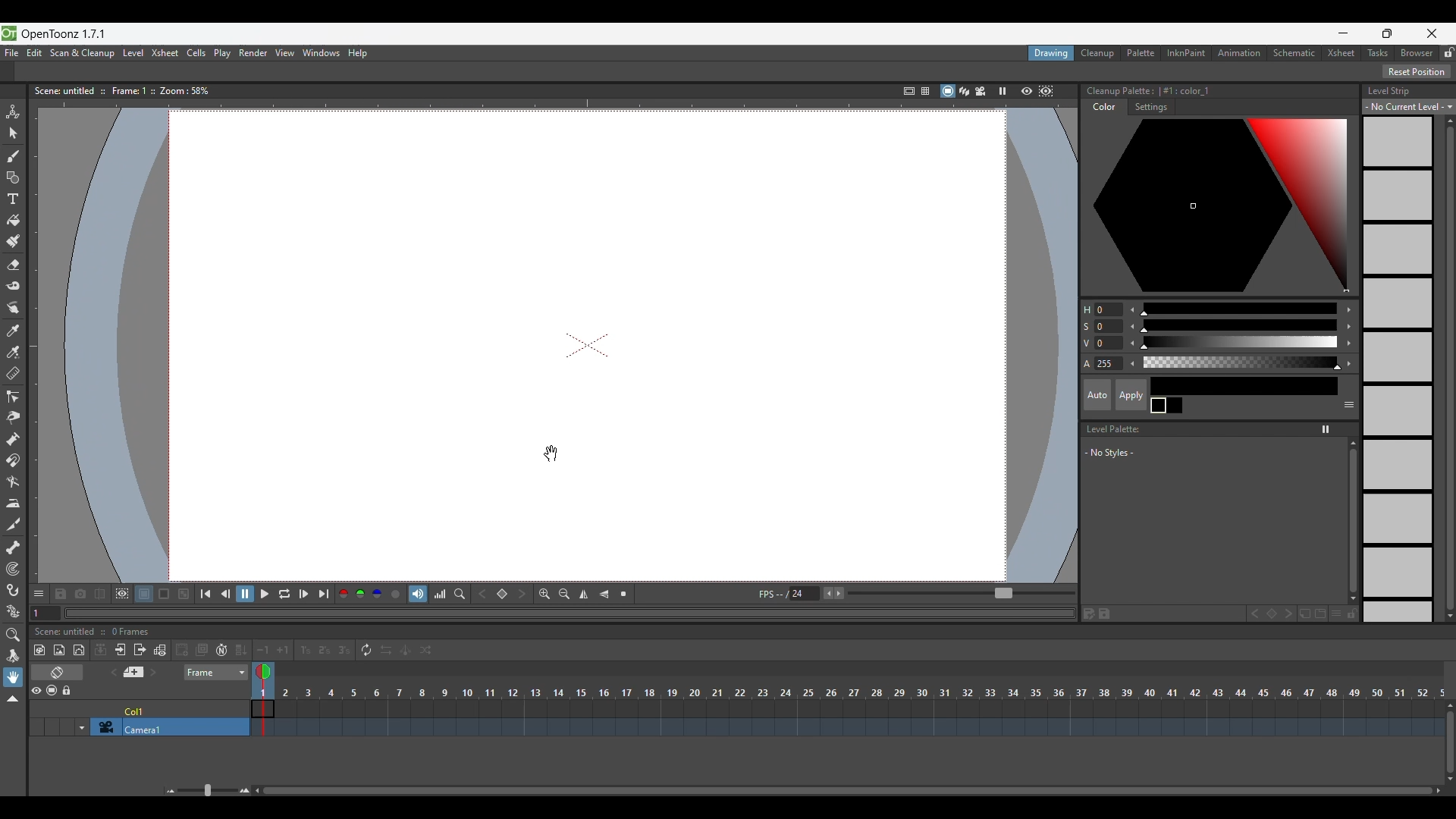  What do you see at coordinates (623, 594) in the screenshot?
I see `Reset view` at bounding box center [623, 594].